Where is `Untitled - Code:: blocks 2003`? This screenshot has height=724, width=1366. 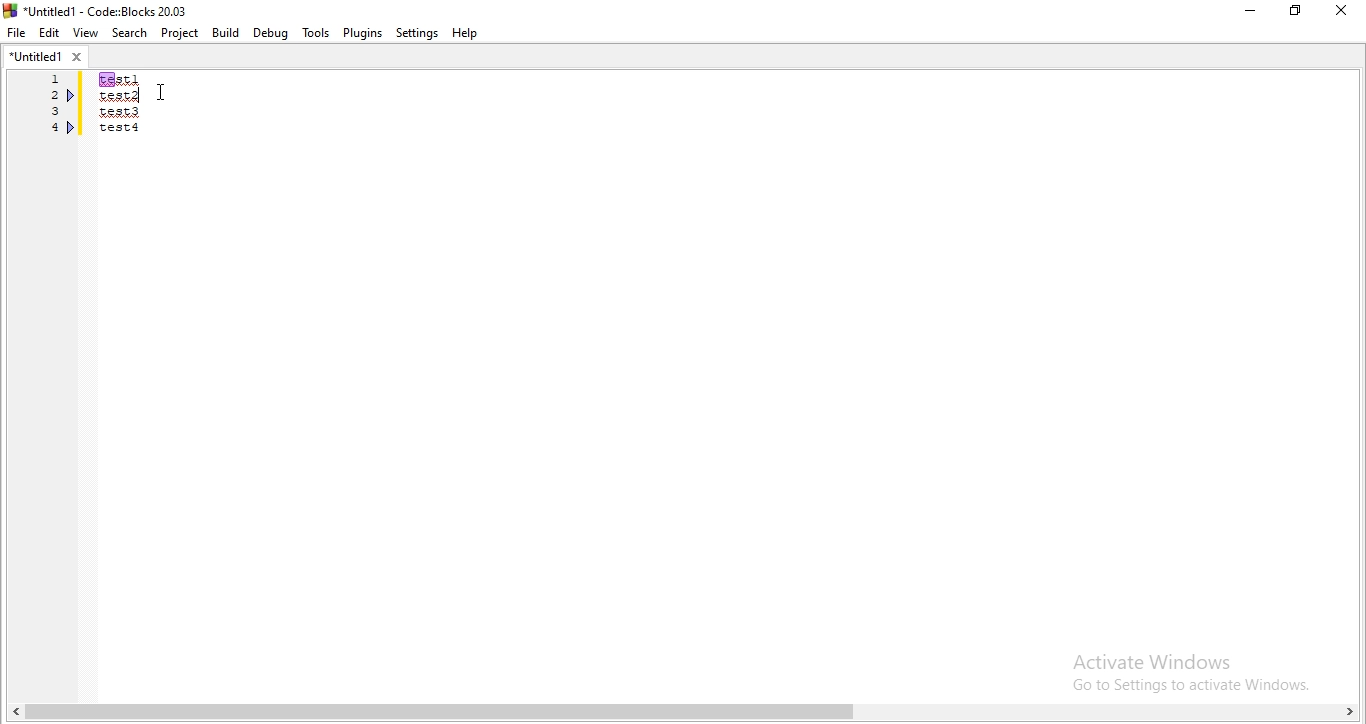 Untitled - Code:: blocks 2003 is located at coordinates (98, 8).